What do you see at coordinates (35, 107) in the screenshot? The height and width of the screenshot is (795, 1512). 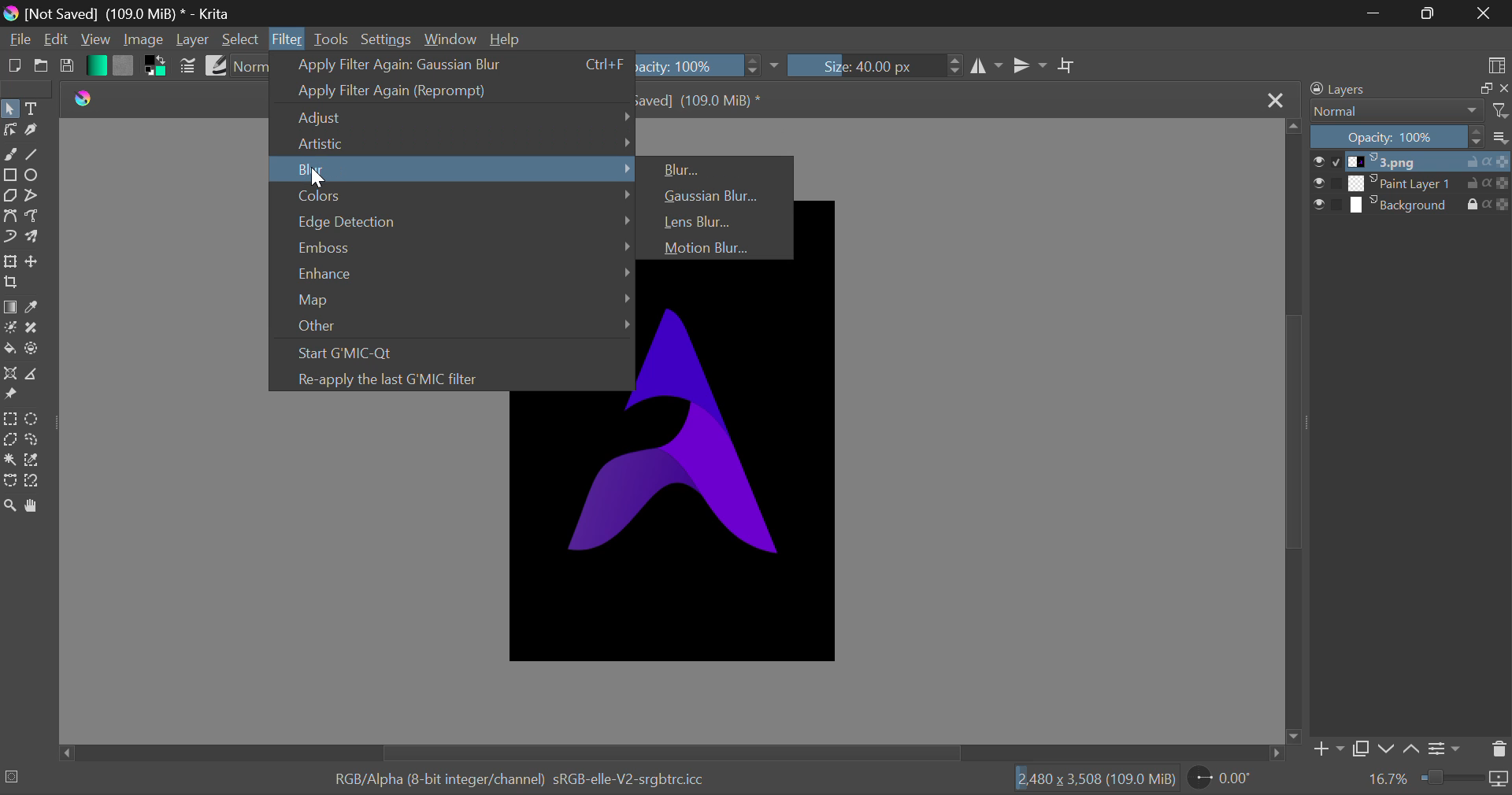 I see `Text` at bounding box center [35, 107].